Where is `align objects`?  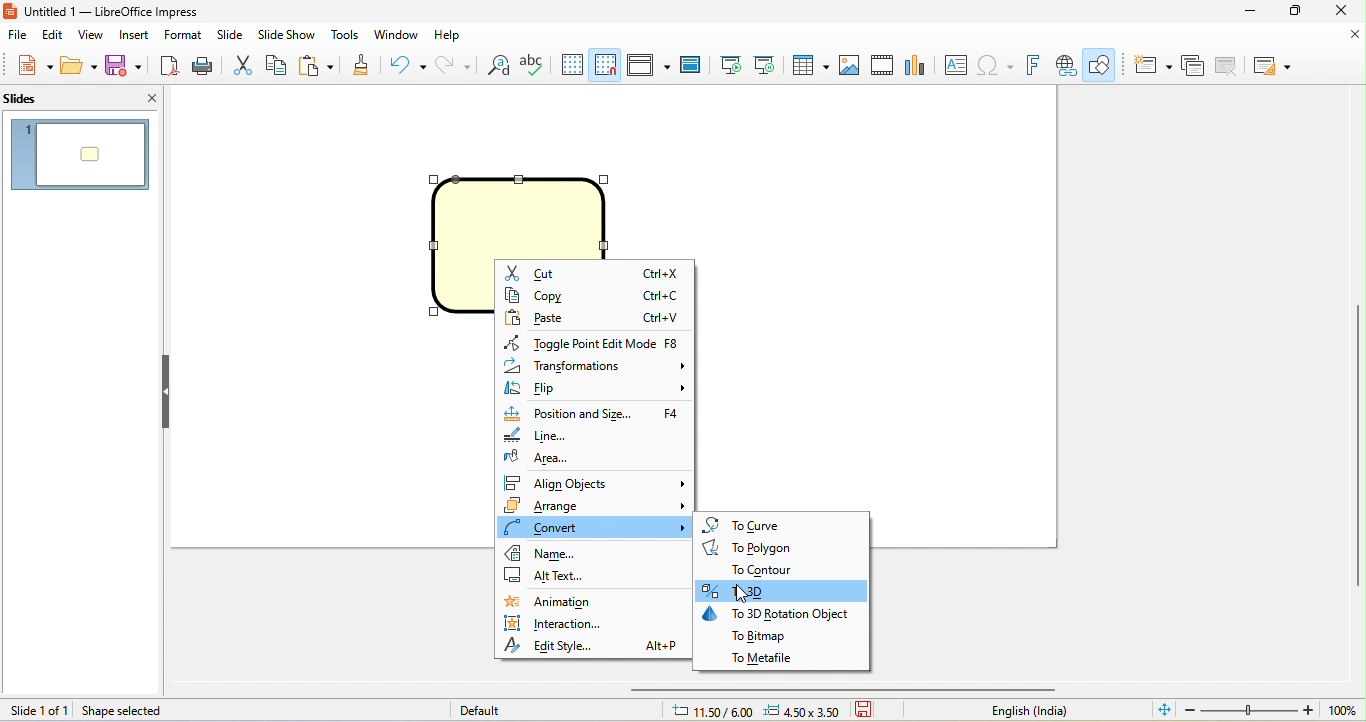 align objects is located at coordinates (594, 485).